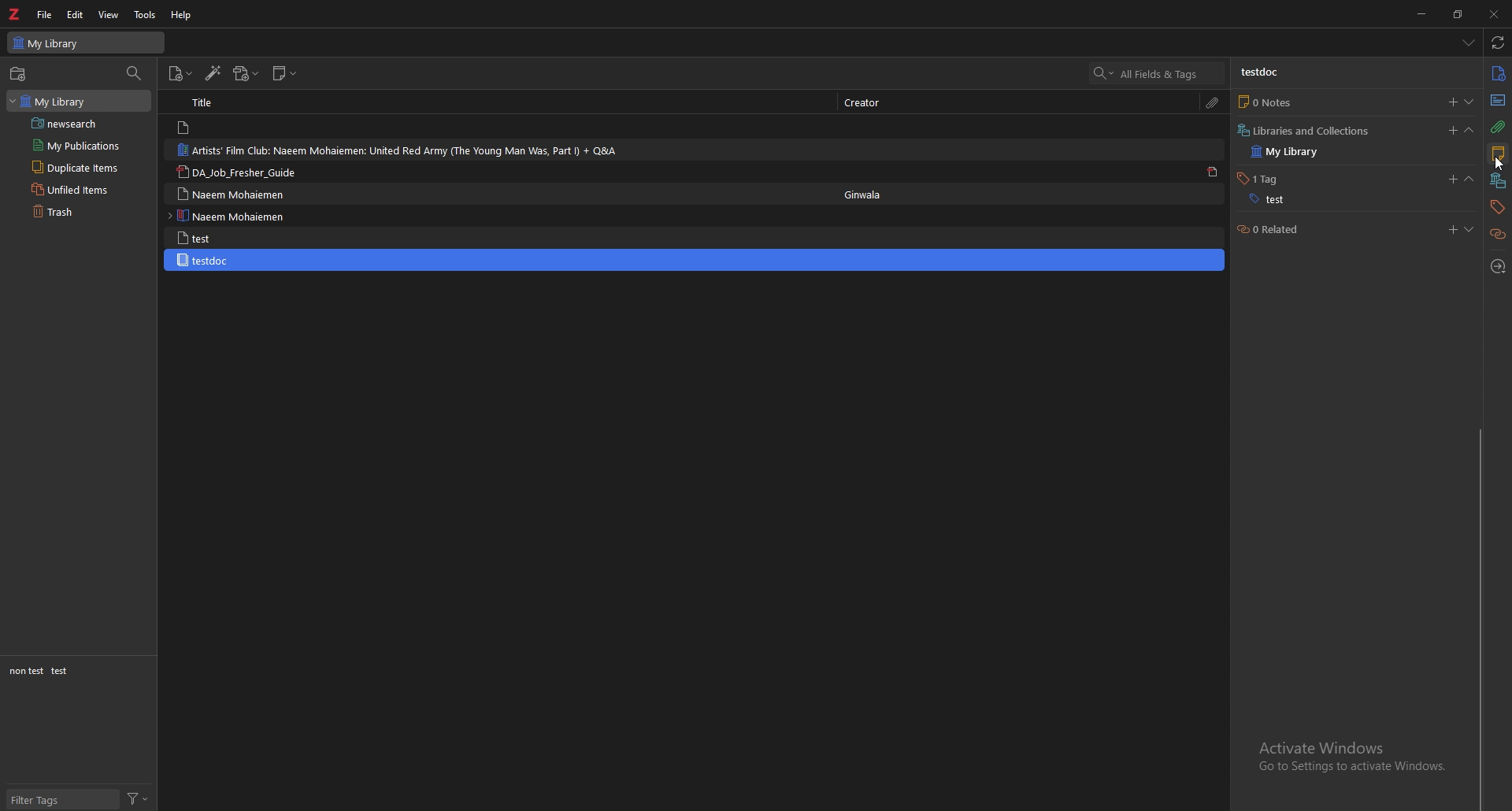 The image size is (1512, 811). What do you see at coordinates (78, 102) in the screenshot?
I see `my library` at bounding box center [78, 102].